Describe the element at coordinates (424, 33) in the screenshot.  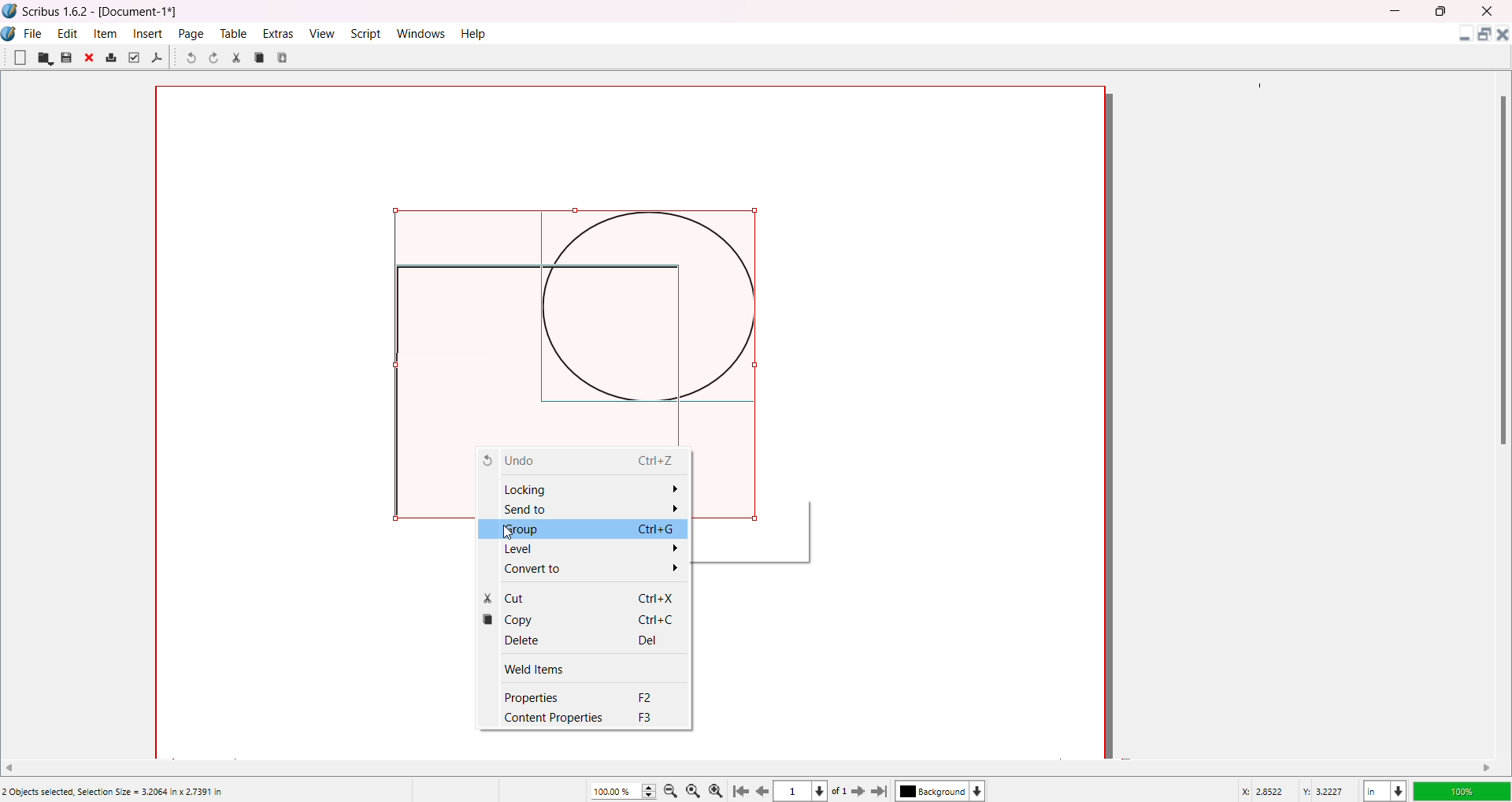
I see `Windows` at that location.